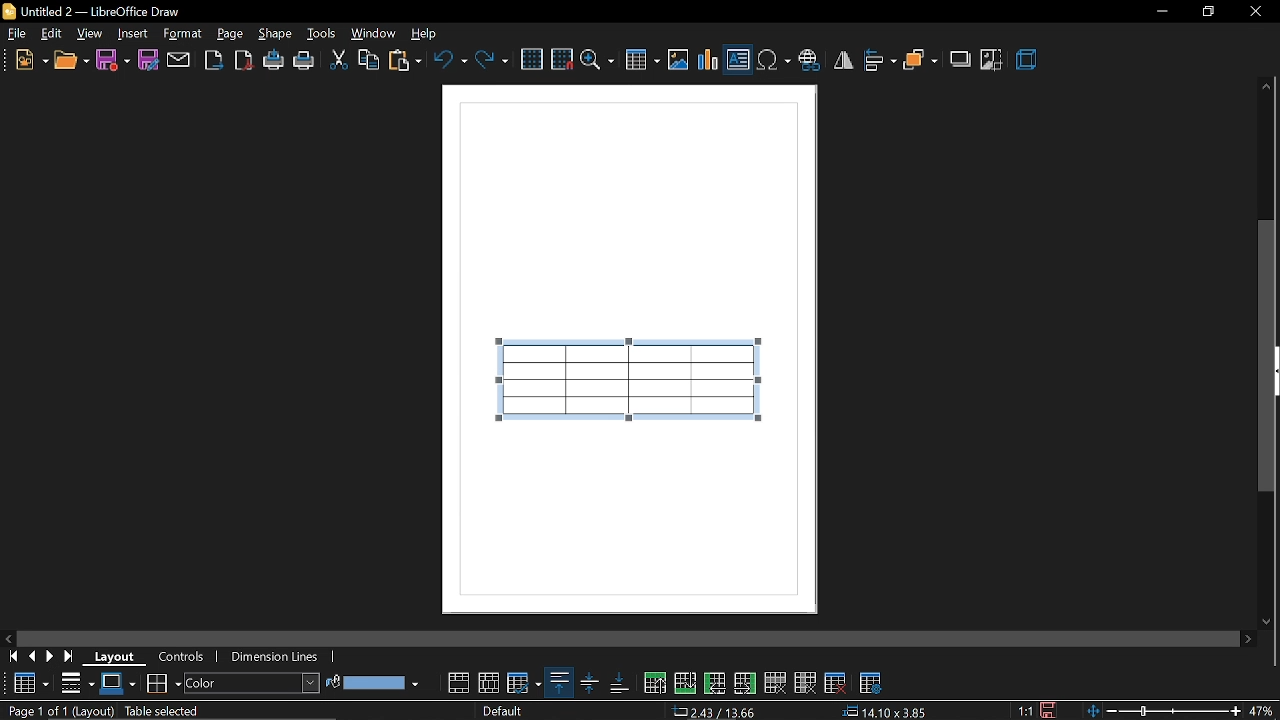 This screenshot has height=720, width=1280. Describe the element at coordinates (179, 60) in the screenshot. I see `attach` at that location.